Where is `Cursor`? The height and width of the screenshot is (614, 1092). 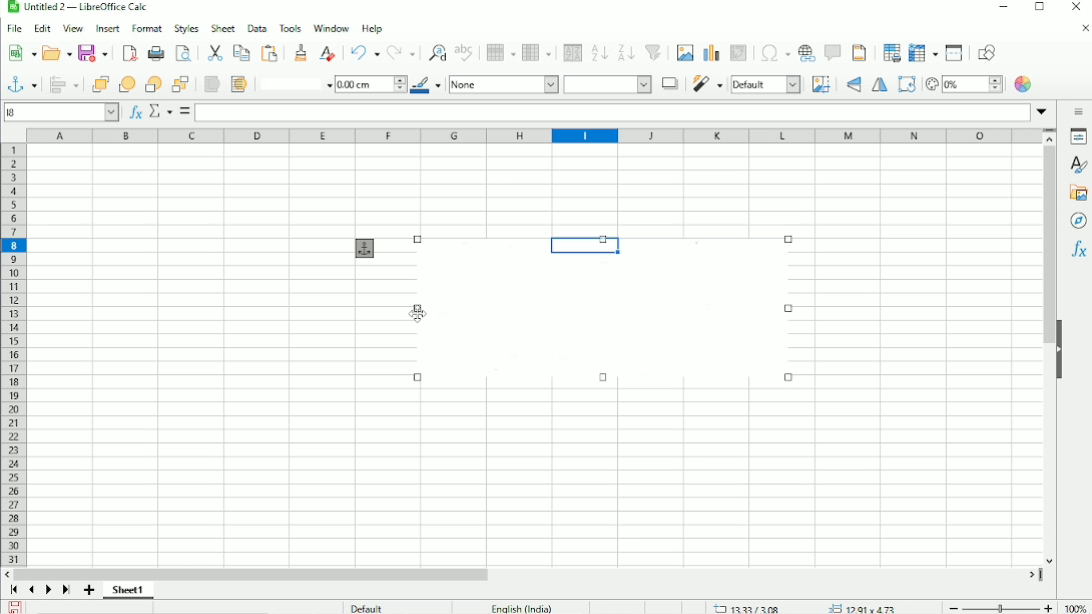 Cursor is located at coordinates (418, 313).